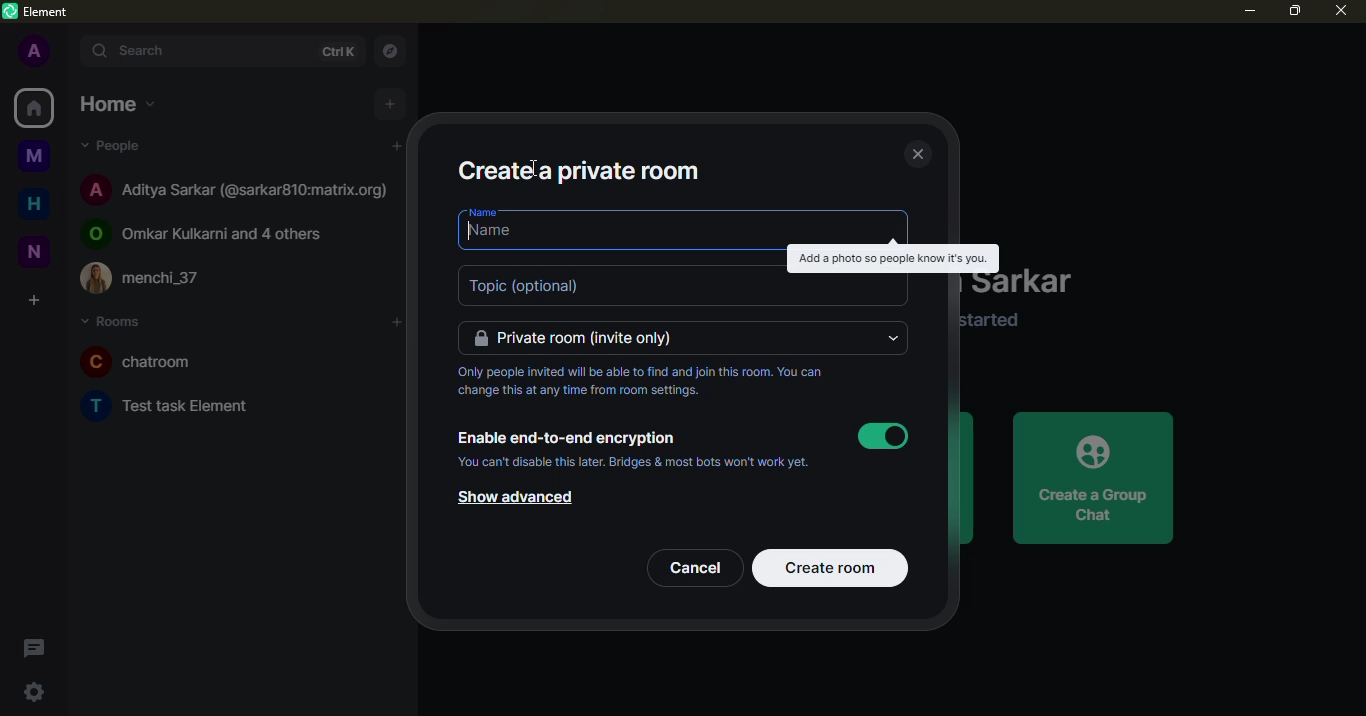 This screenshot has width=1366, height=716. What do you see at coordinates (34, 647) in the screenshot?
I see `threads` at bounding box center [34, 647].